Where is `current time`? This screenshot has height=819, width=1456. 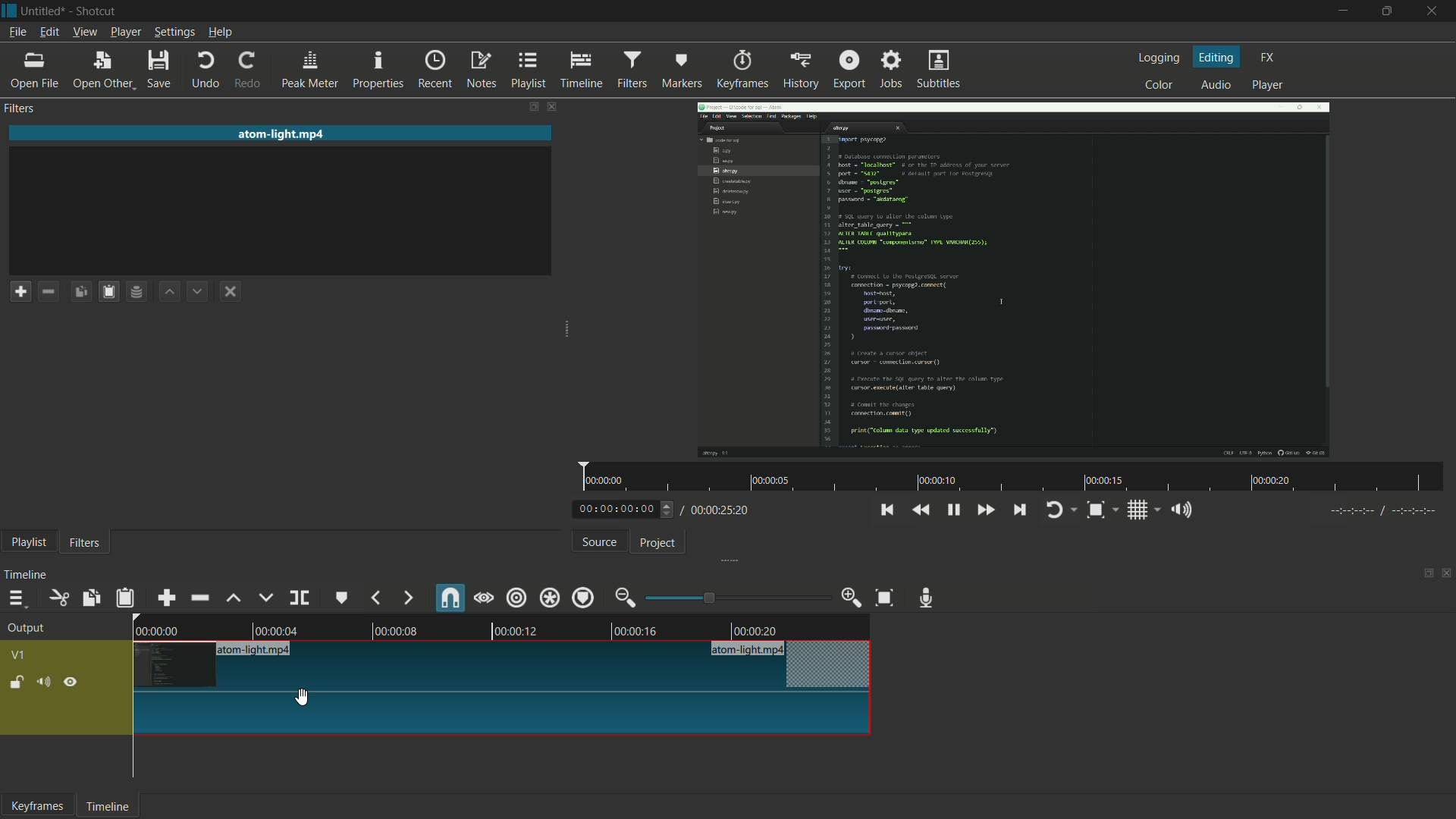
current time is located at coordinates (616, 510).